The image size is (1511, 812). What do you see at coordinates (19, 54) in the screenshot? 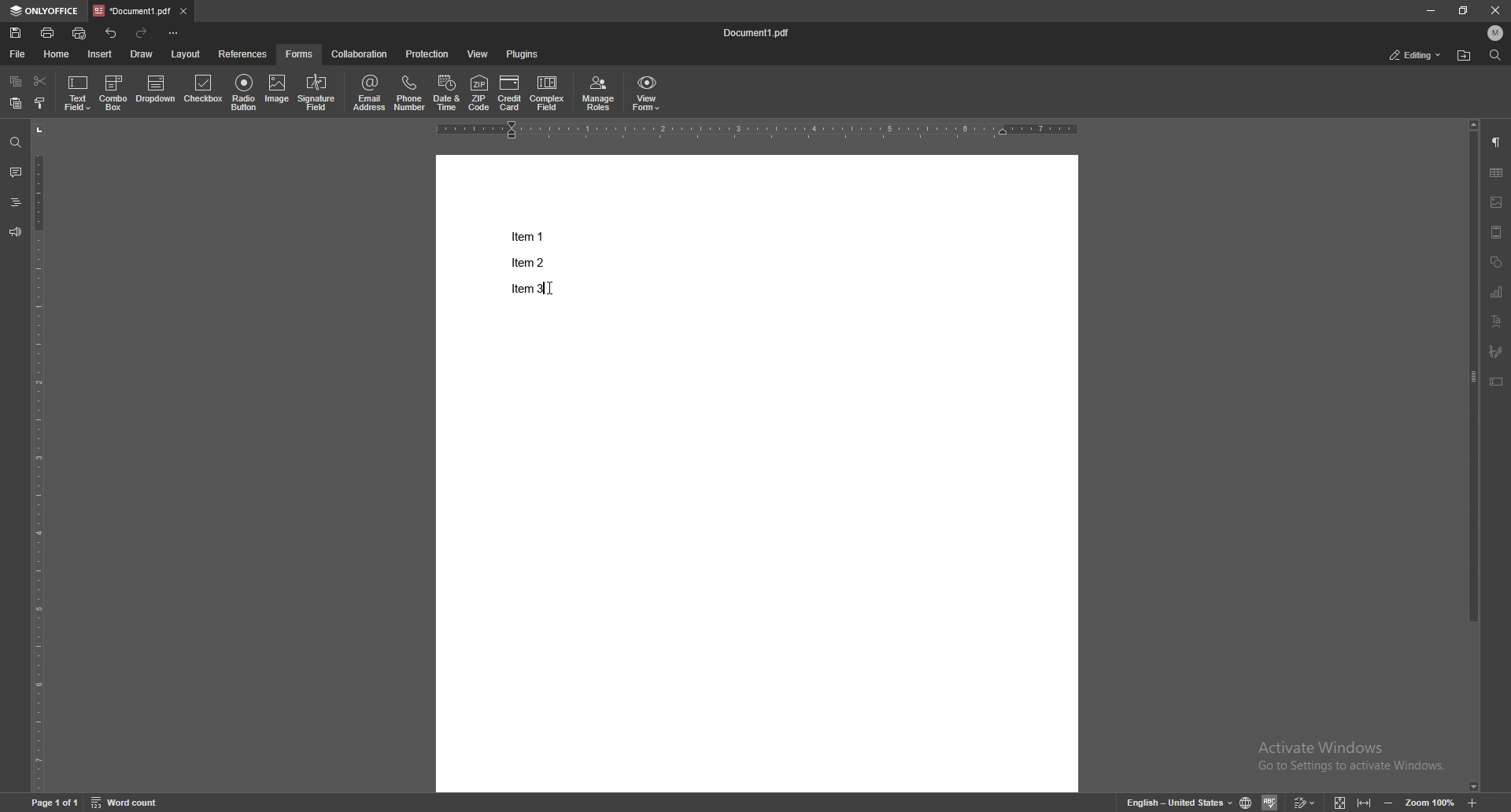
I see `file` at bounding box center [19, 54].